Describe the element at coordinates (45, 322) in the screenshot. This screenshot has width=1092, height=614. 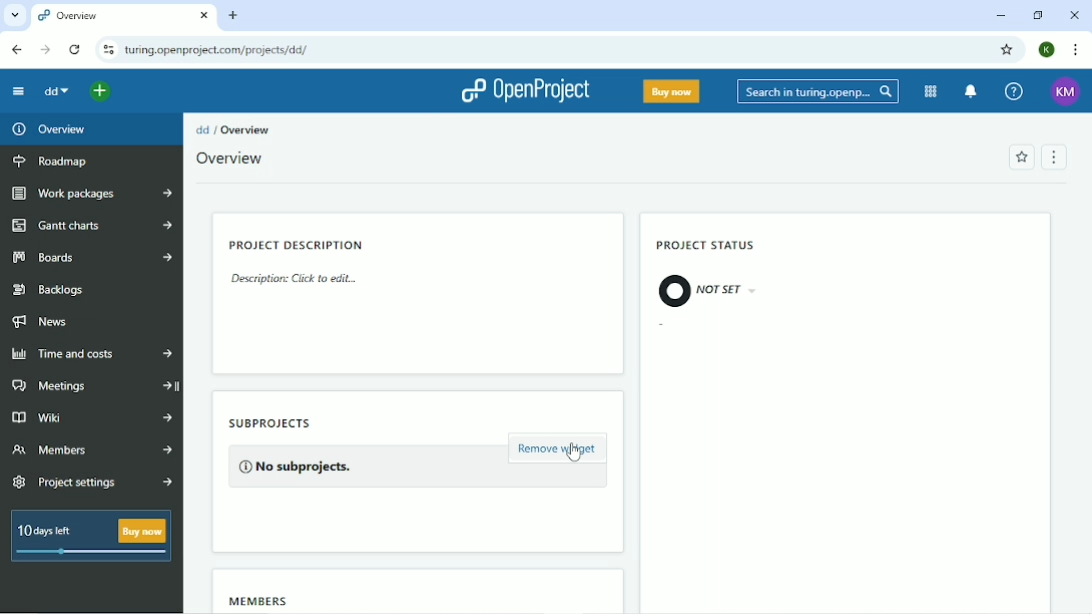
I see `News` at that location.